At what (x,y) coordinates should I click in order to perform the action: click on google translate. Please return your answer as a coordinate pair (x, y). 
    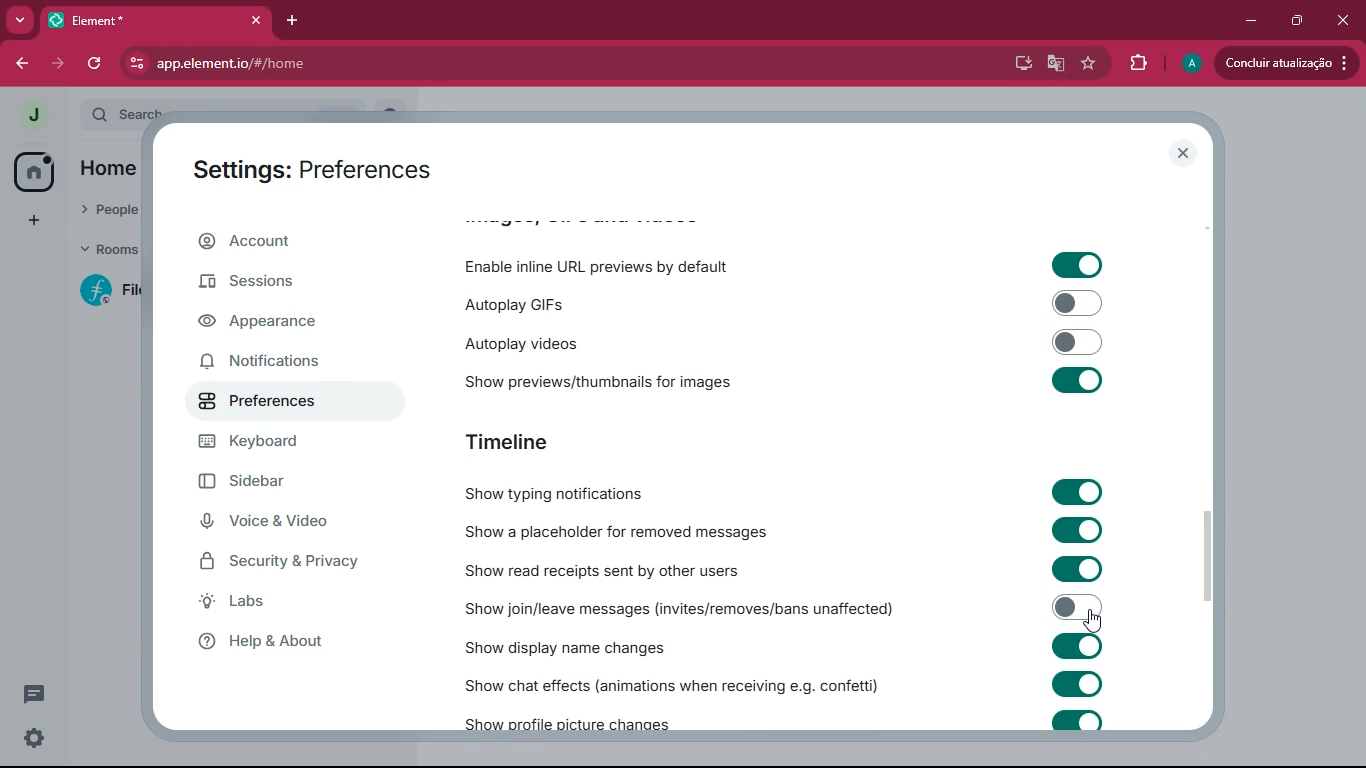
    Looking at the image, I should click on (1060, 63).